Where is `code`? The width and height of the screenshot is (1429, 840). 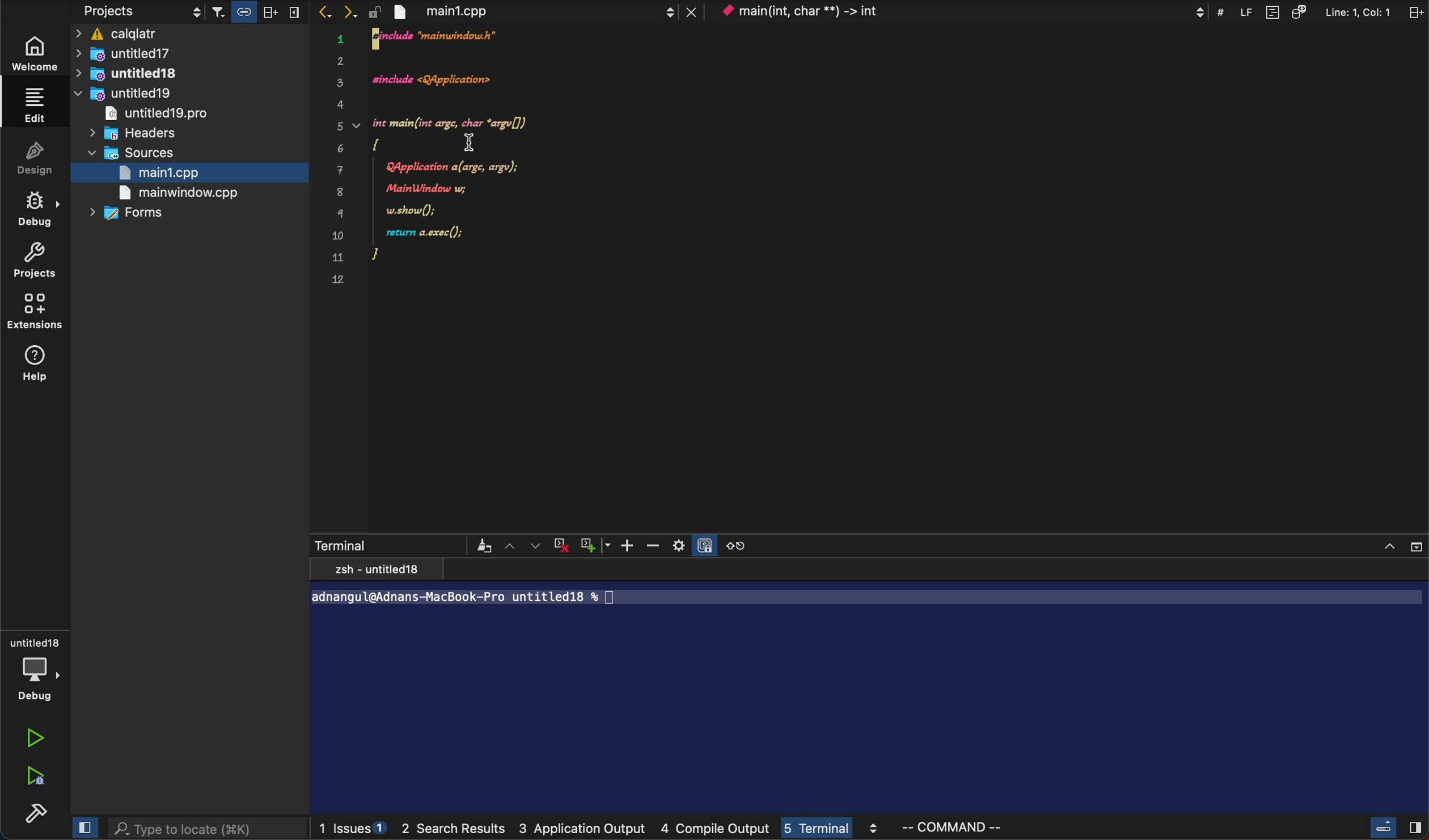 code is located at coordinates (471, 161).